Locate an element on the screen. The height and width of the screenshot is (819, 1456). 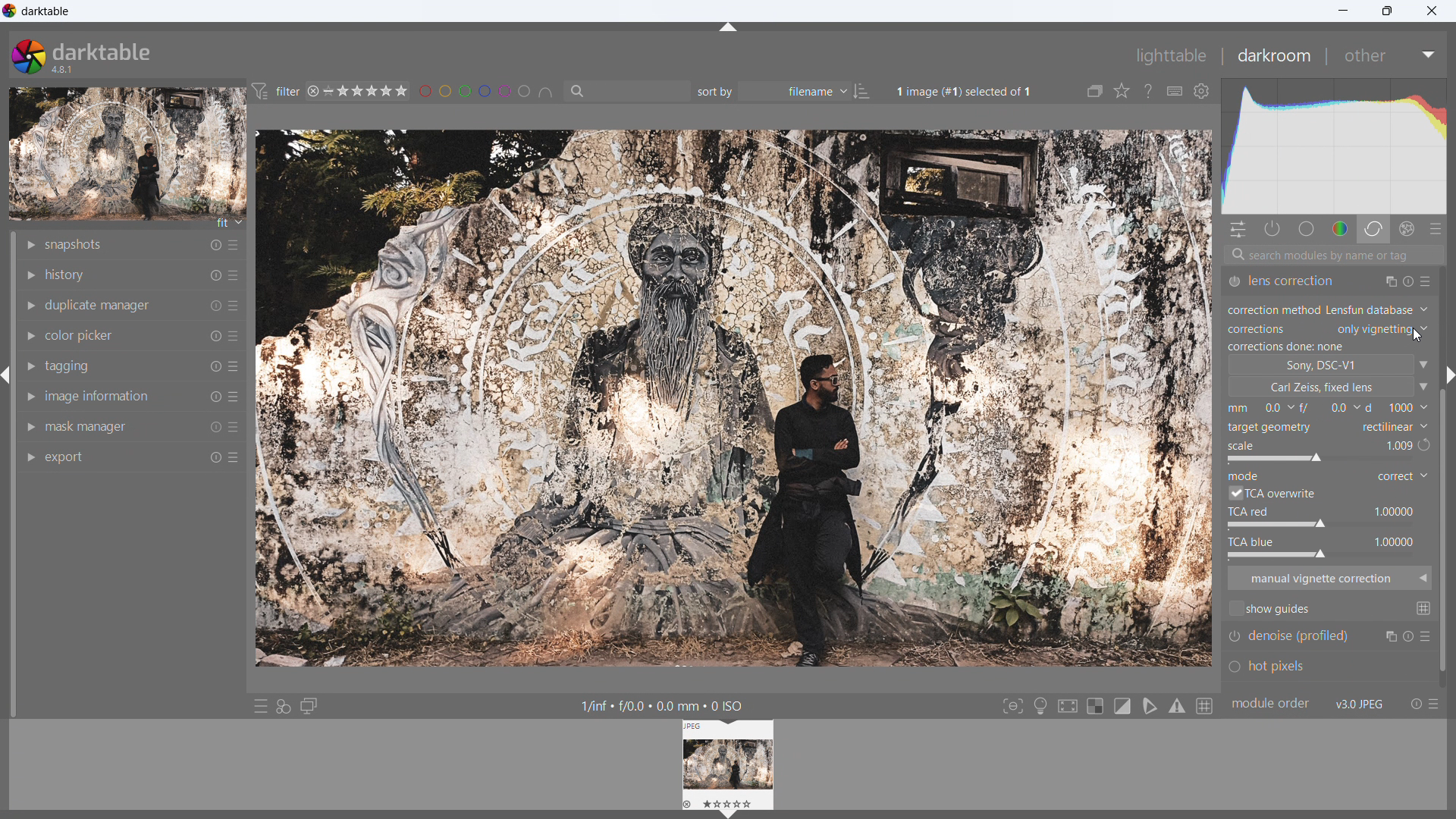
more options is located at coordinates (235, 245).